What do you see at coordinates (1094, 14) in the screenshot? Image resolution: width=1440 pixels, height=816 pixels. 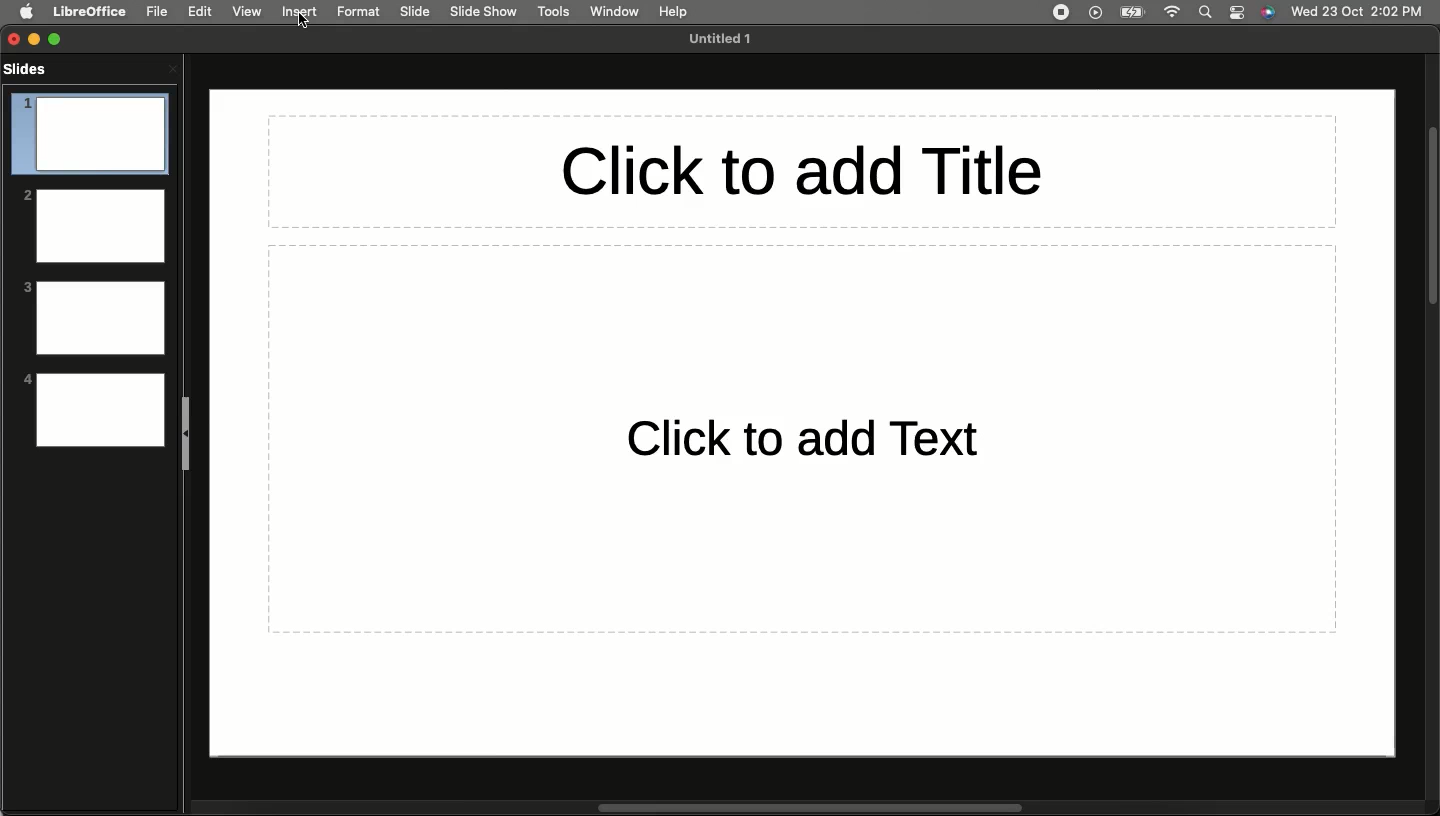 I see `Video player` at bounding box center [1094, 14].